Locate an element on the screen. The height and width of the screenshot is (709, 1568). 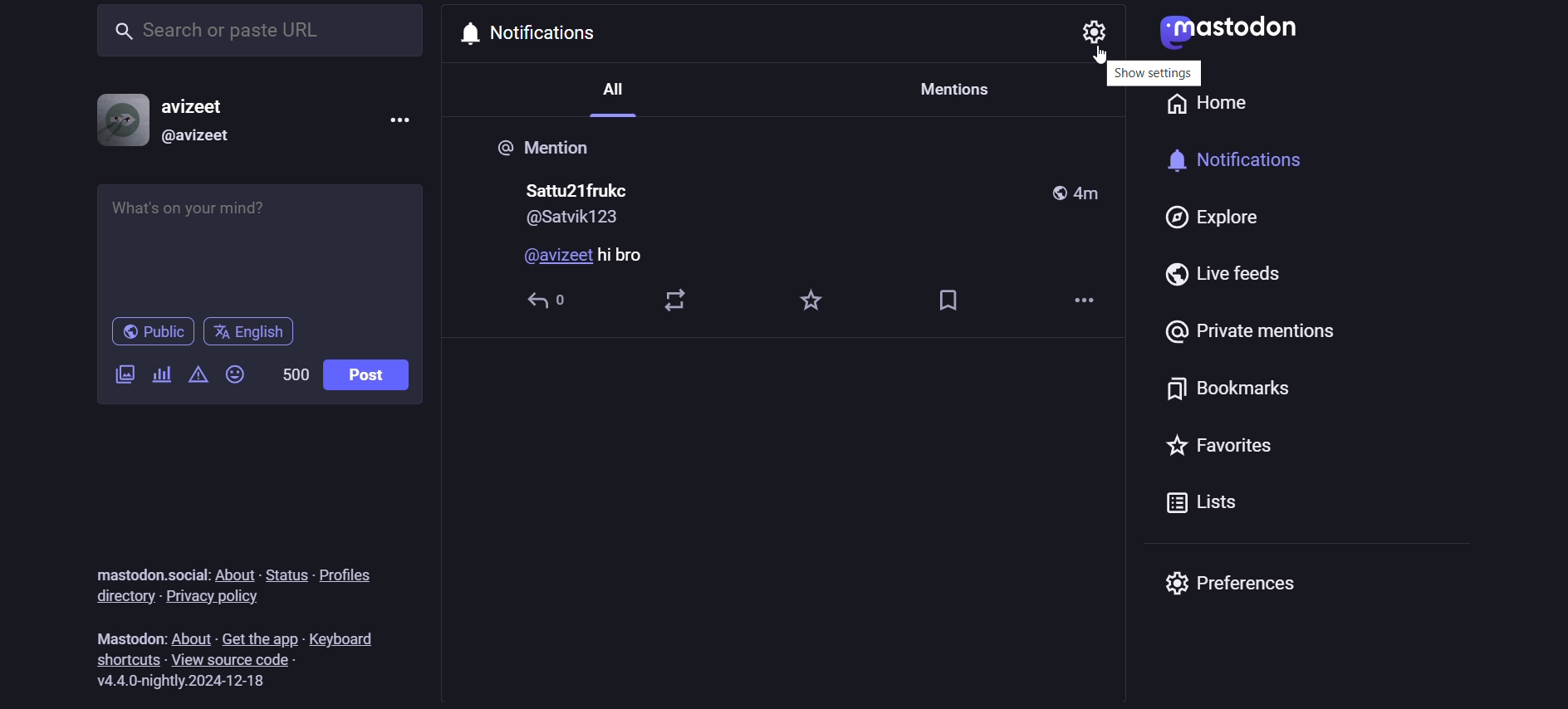
notification is located at coordinates (1247, 158).